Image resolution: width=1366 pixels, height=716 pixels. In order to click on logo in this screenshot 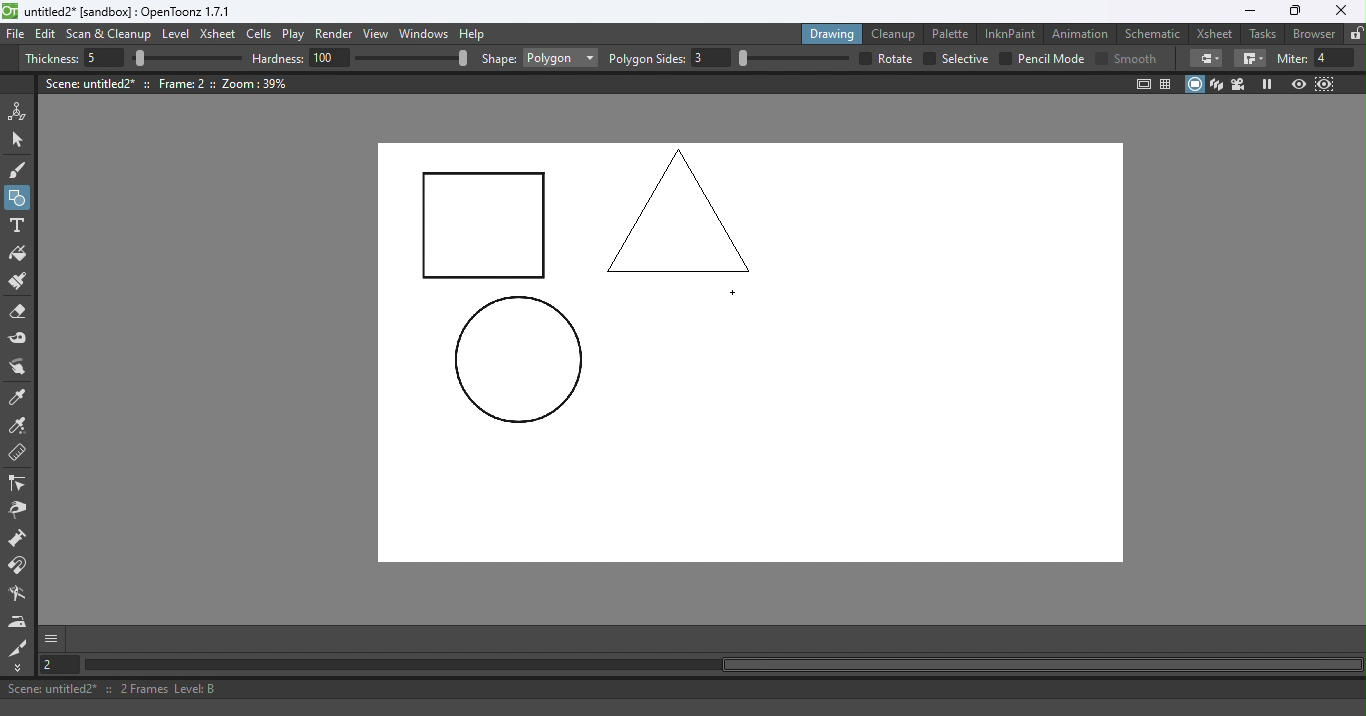, I will do `click(10, 11)`.